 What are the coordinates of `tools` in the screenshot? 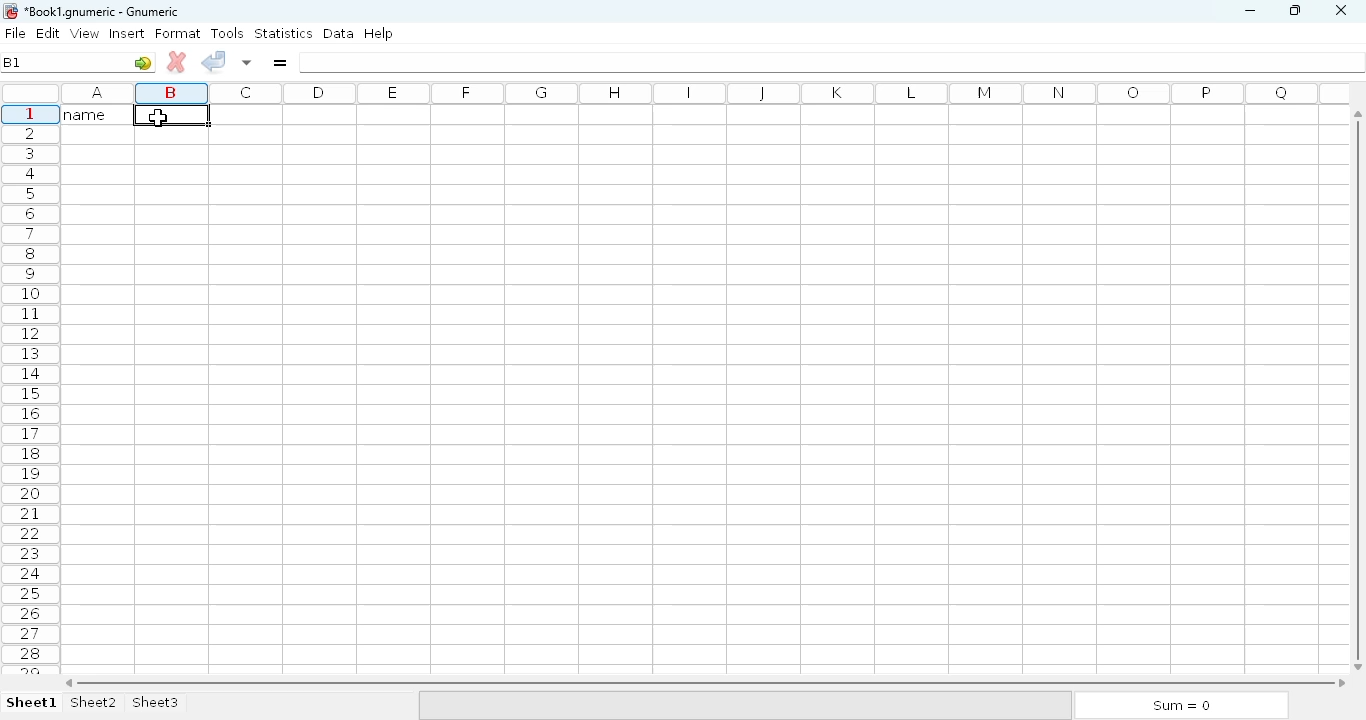 It's located at (227, 33).